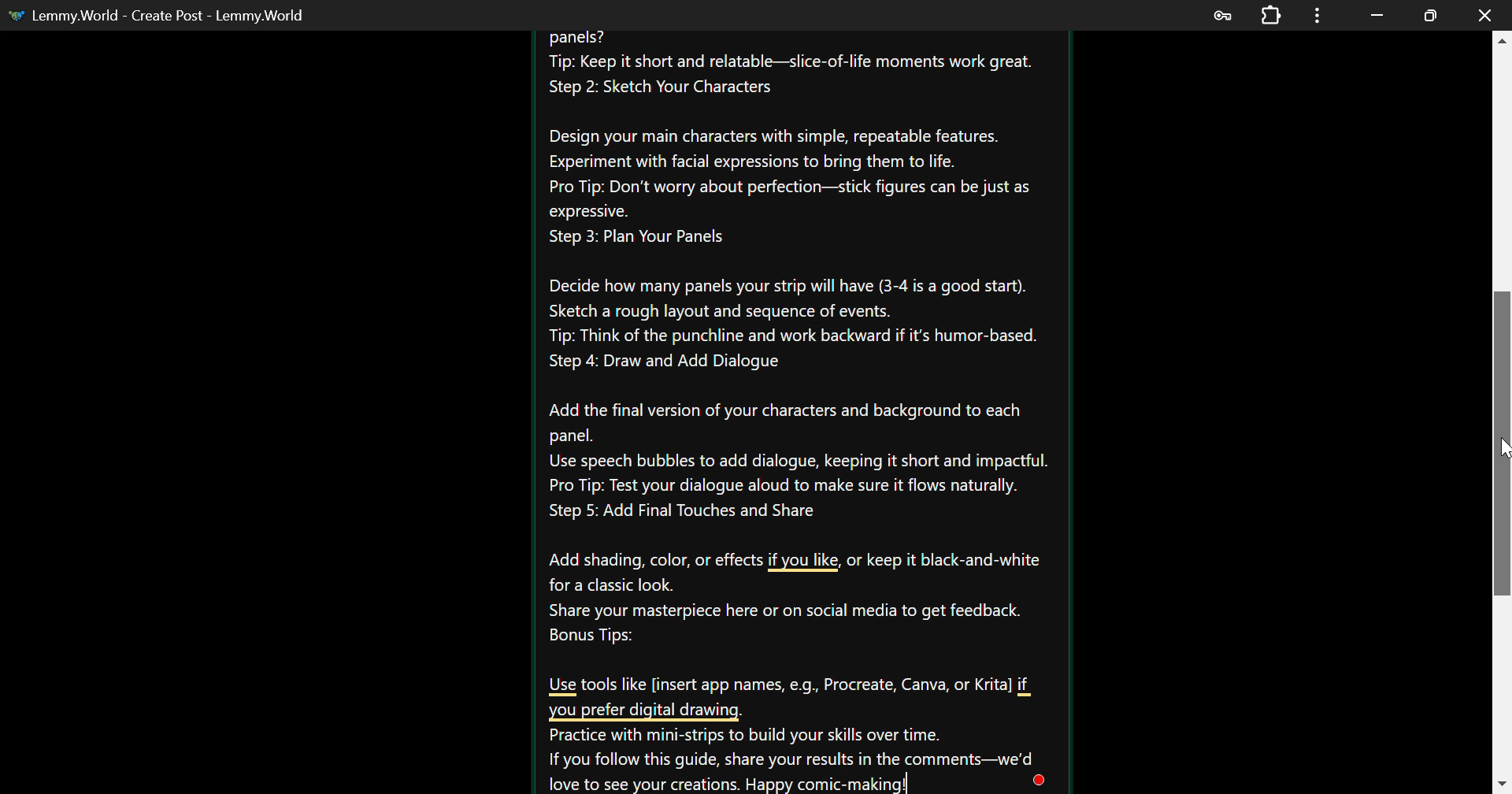  I want to click on Minimize, so click(1433, 15).